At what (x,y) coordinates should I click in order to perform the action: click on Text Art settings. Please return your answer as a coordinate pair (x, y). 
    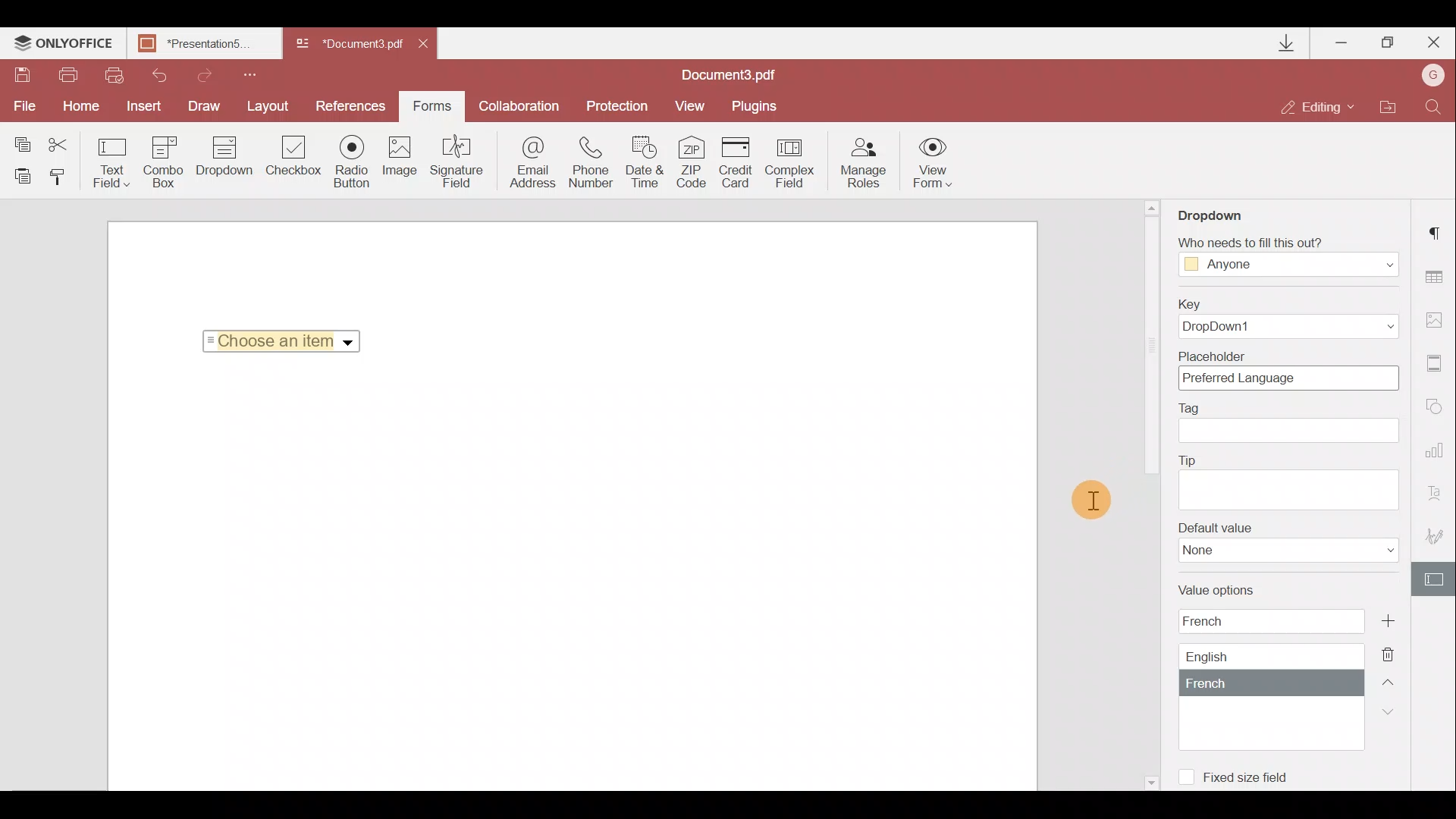
    Looking at the image, I should click on (1439, 497).